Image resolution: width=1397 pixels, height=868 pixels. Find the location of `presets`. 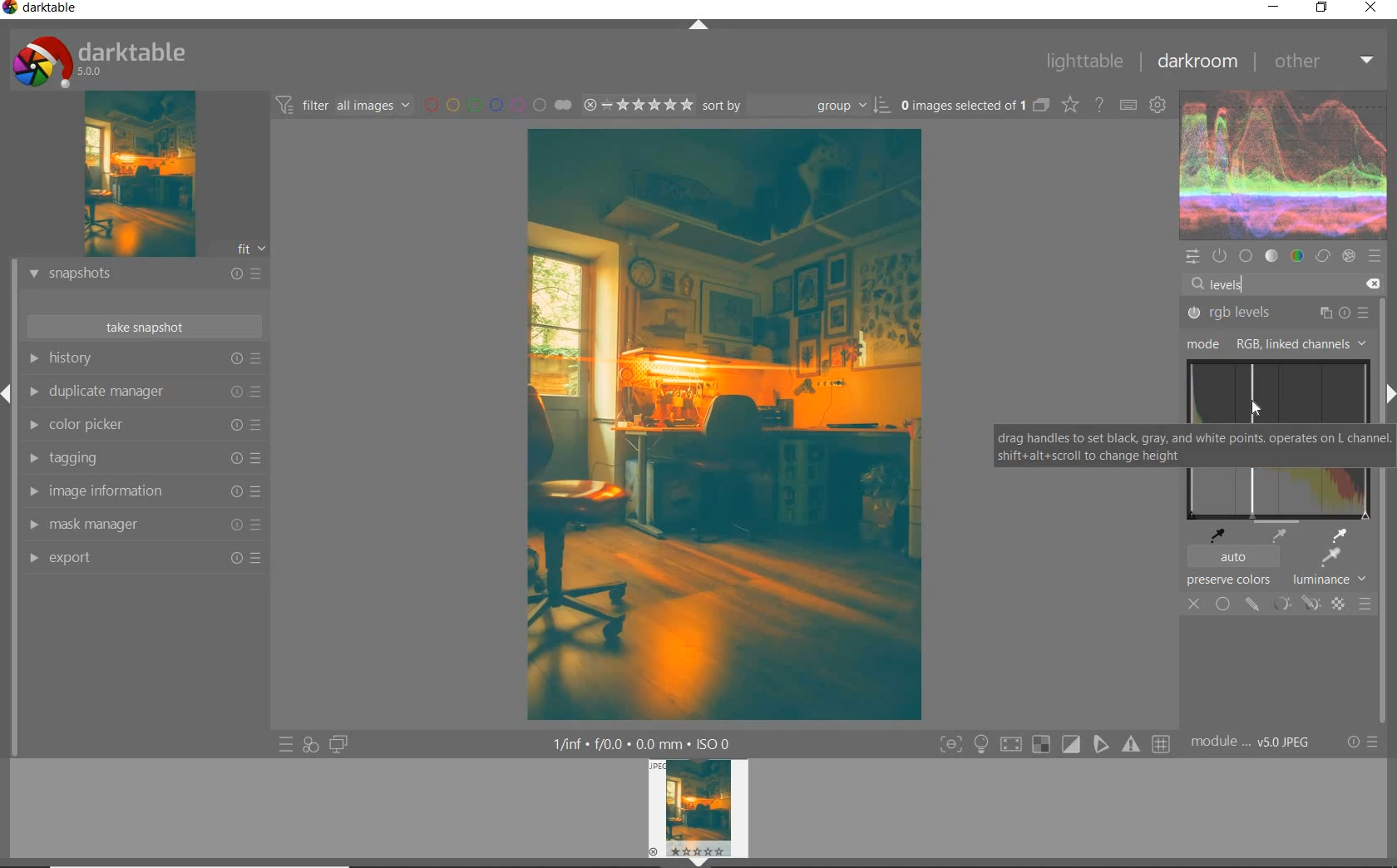

presets is located at coordinates (1378, 256).